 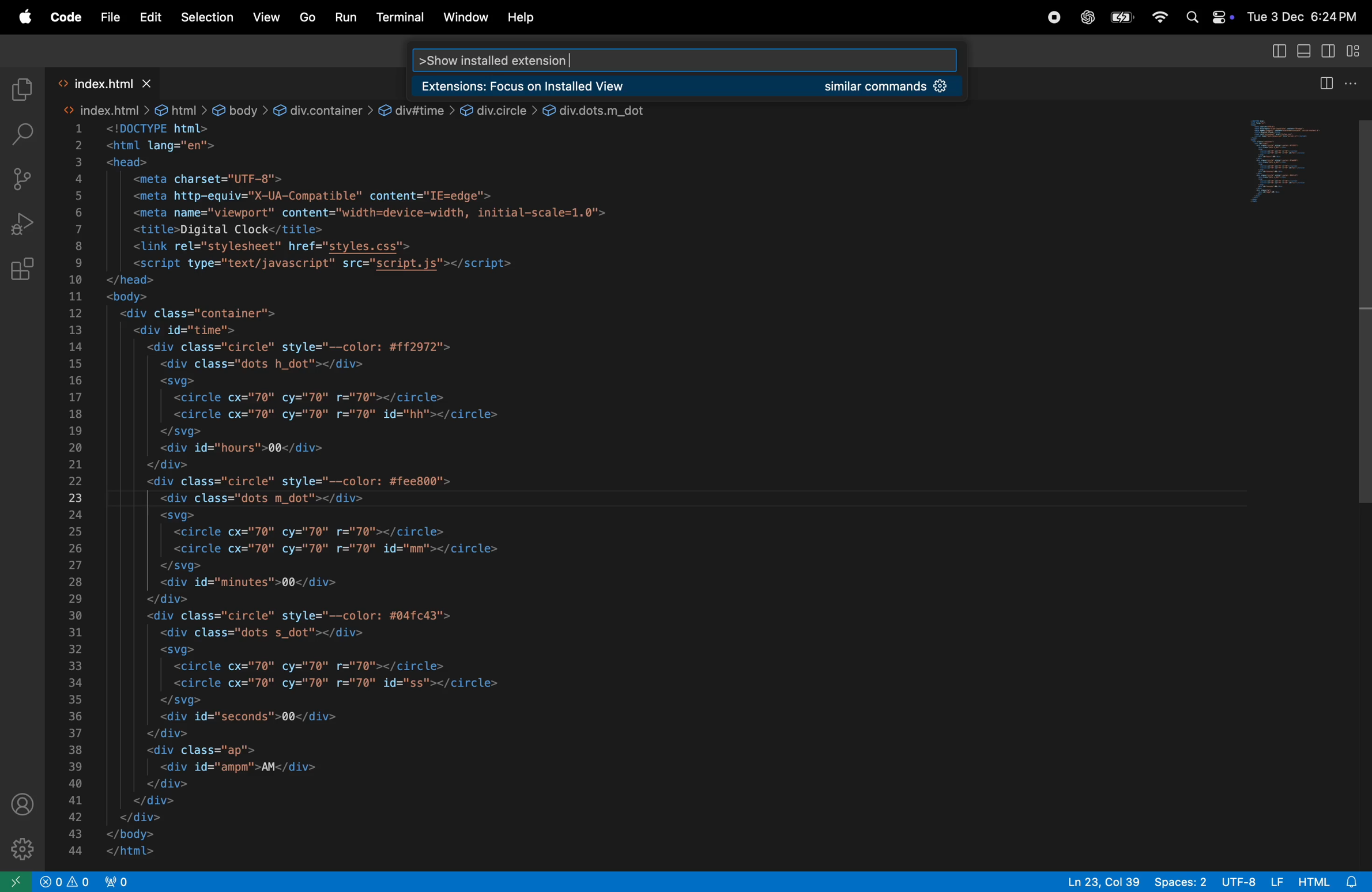 I want to click on extensions, so click(x=22, y=270).